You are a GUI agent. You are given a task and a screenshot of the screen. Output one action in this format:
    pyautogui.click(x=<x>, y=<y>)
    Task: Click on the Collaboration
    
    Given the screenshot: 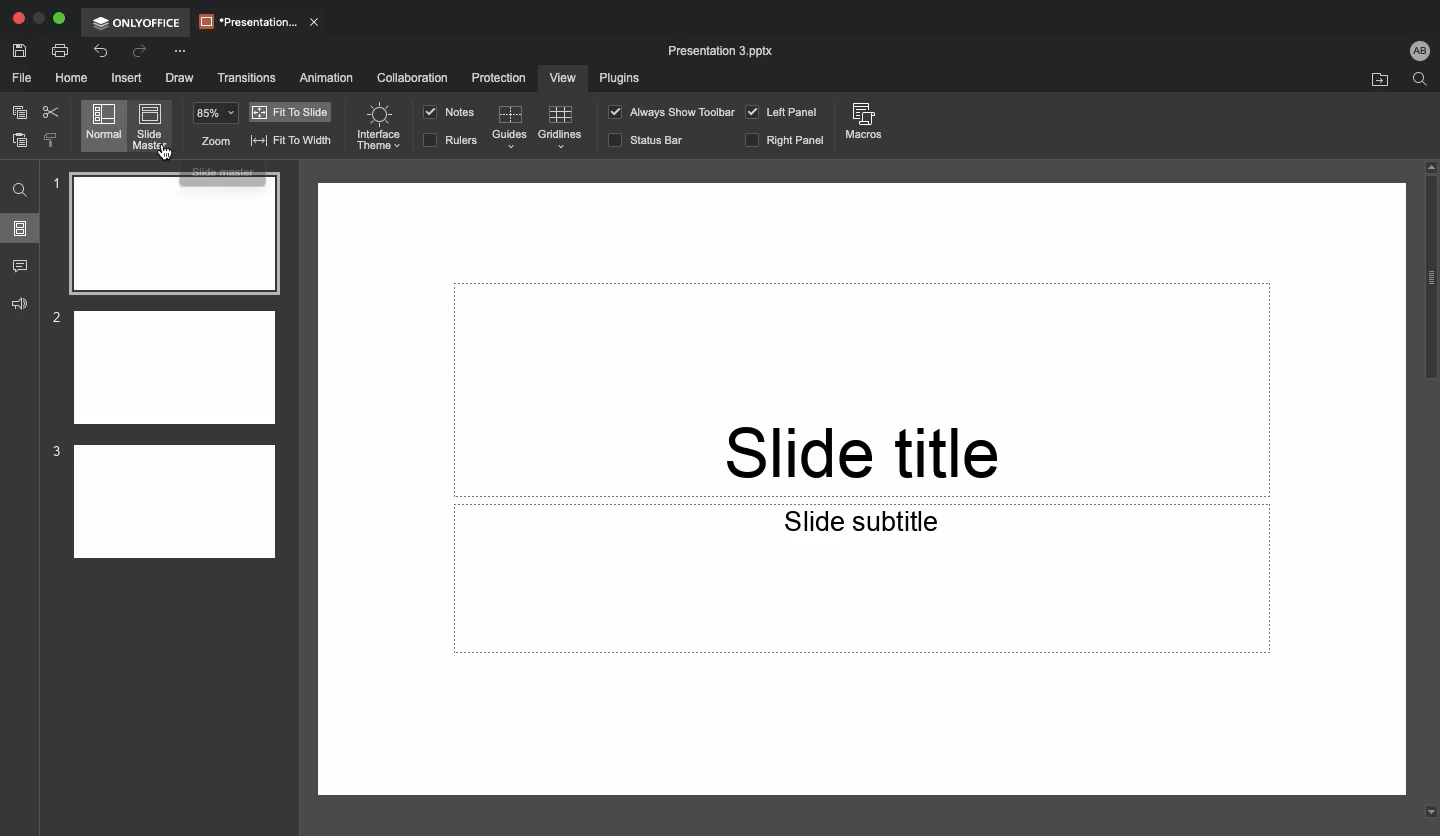 What is the action you would take?
    pyautogui.click(x=412, y=77)
    